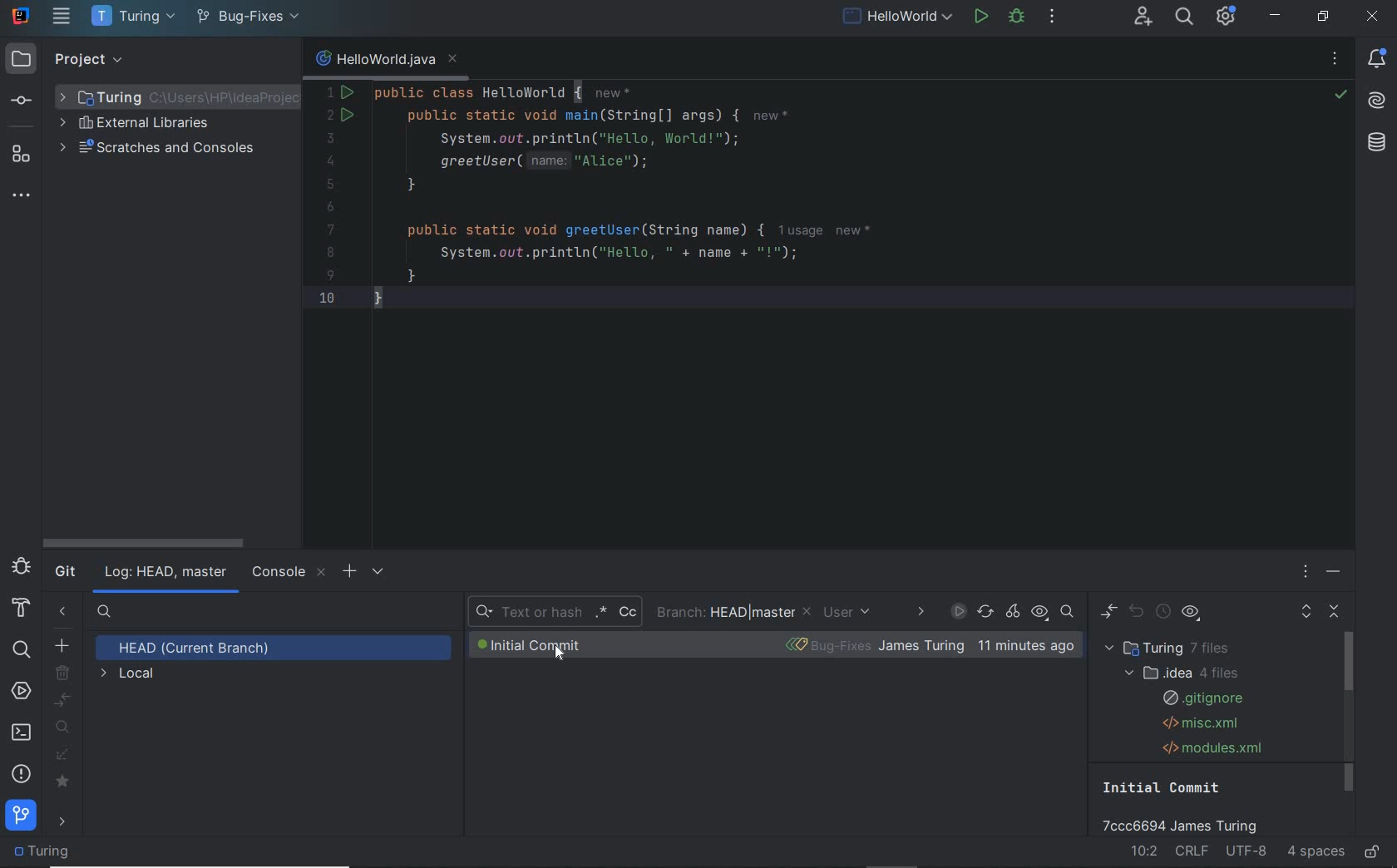 This screenshot has width=1397, height=868. I want to click on USER, so click(852, 614).